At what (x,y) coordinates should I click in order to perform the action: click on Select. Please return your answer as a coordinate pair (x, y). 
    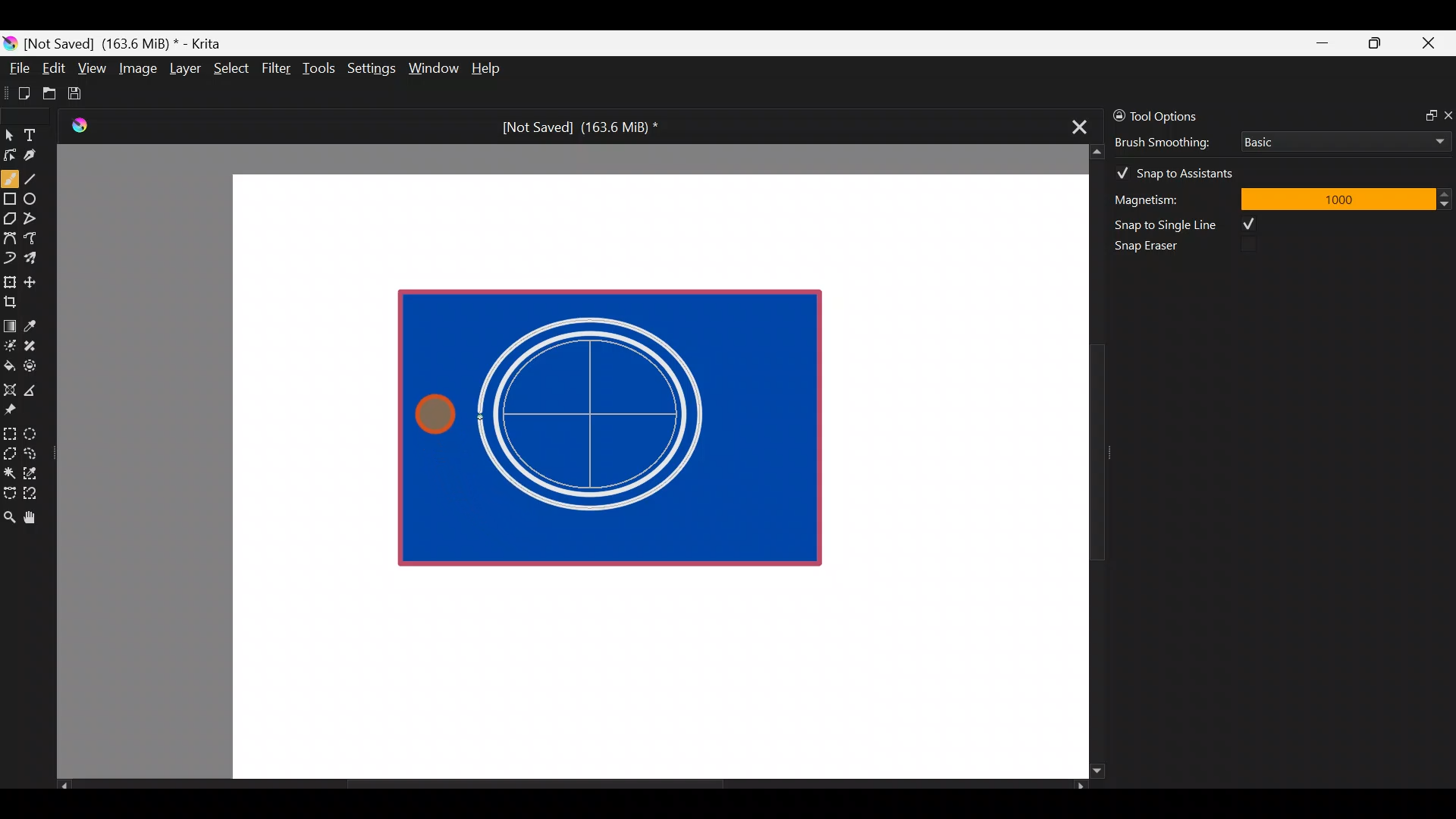
    Looking at the image, I should click on (232, 67).